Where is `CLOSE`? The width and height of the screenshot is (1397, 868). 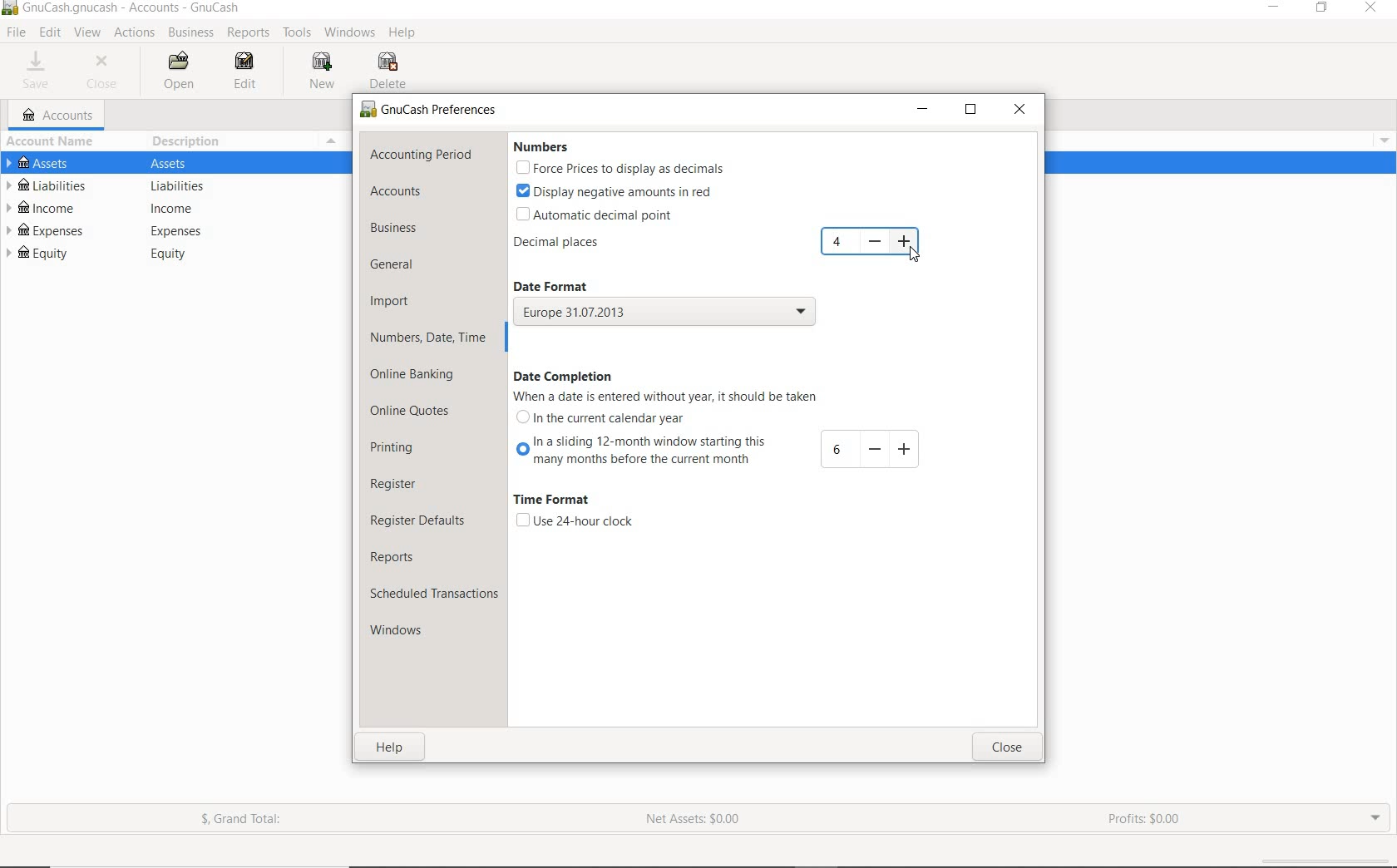 CLOSE is located at coordinates (106, 72).